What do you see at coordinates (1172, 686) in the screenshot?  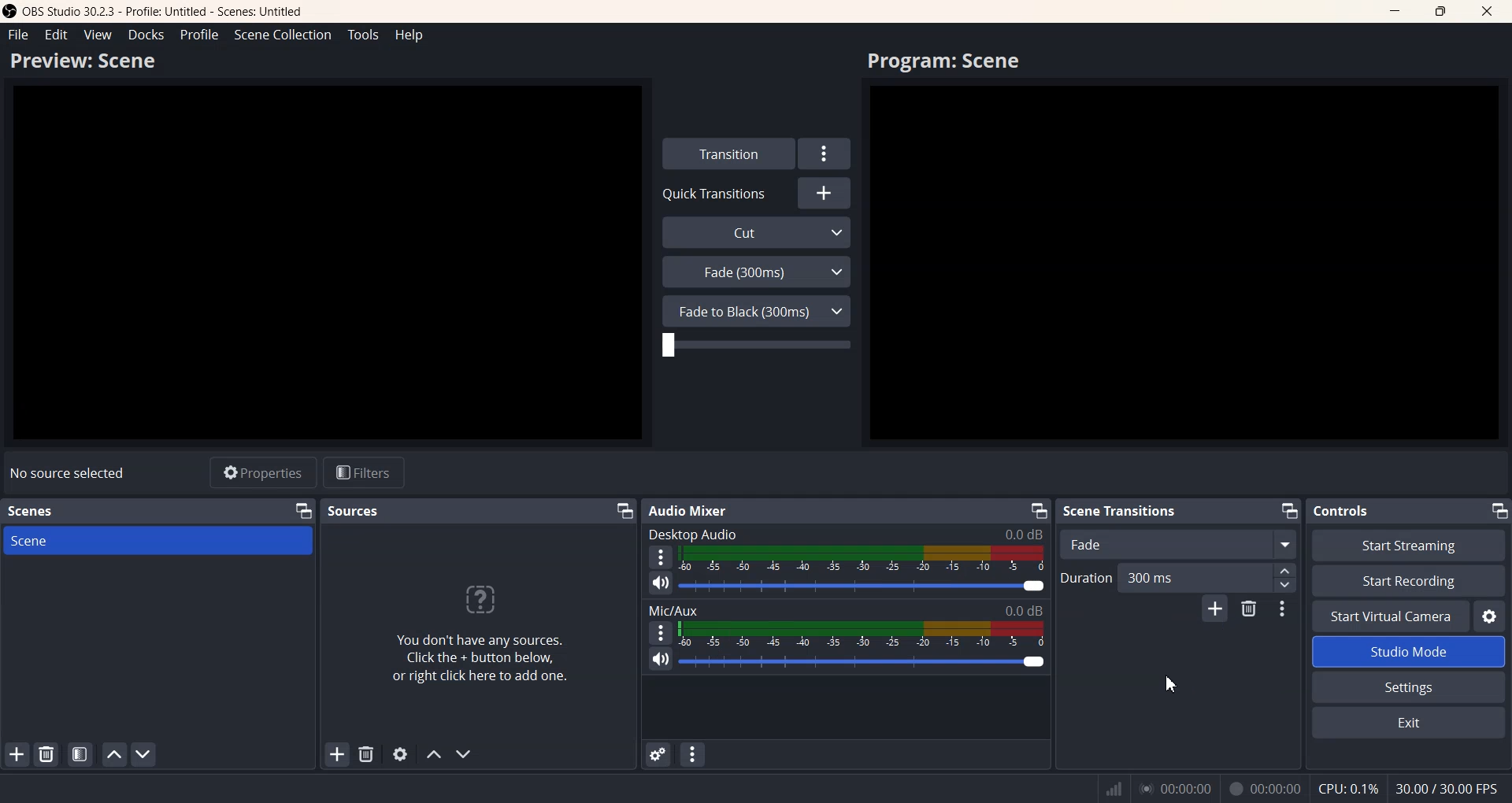 I see `Cursor` at bounding box center [1172, 686].